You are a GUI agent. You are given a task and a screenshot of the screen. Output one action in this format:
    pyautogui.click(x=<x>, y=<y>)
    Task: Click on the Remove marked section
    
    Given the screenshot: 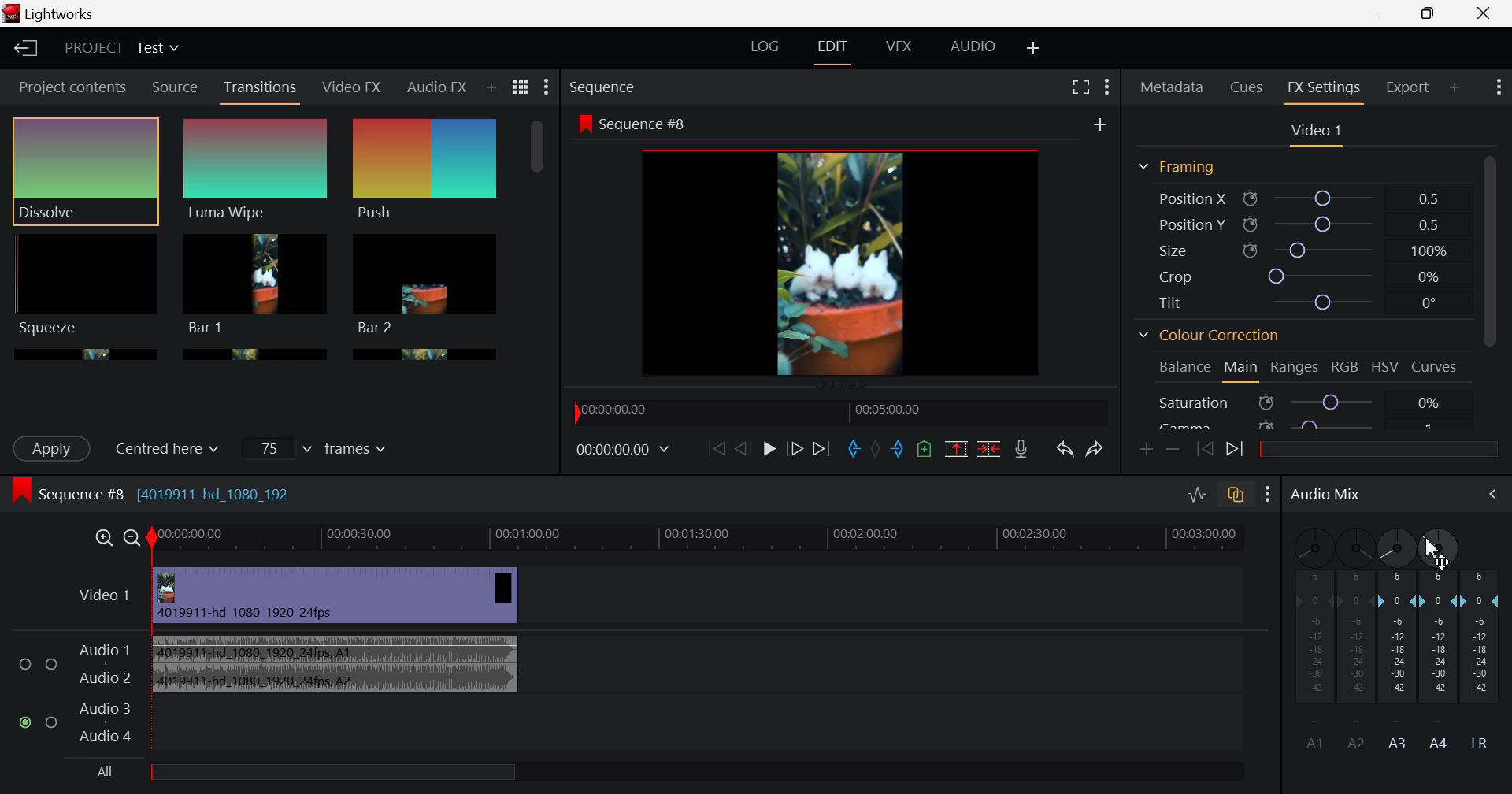 What is the action you would take?
    pyautogui.click(x=956, y=447)
    